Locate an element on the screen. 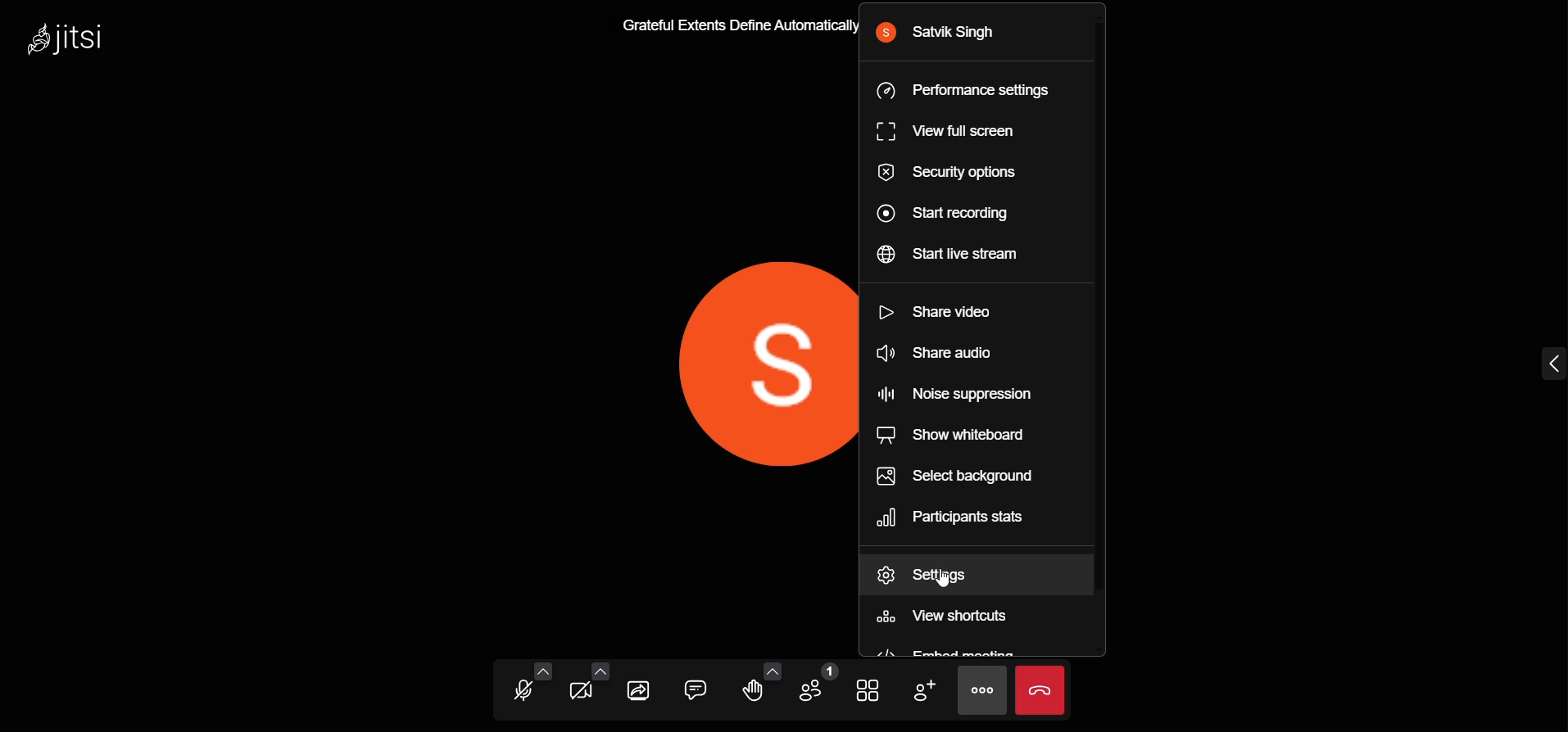 The image size is (1568, 732). start video is located at coordinates (944, 312).